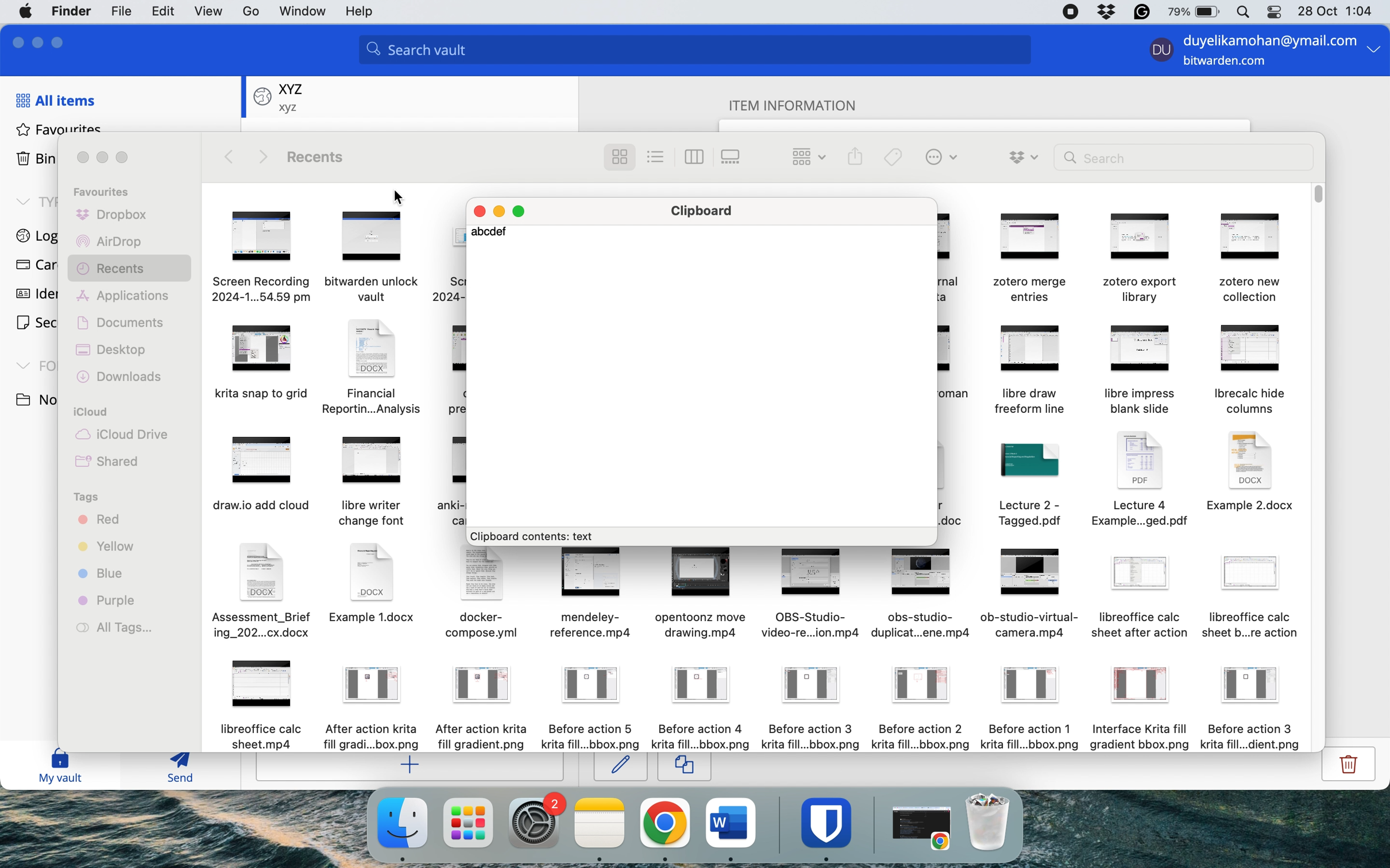 This screenshot has width=1390, height=868. I want to click on saved password, so click(280, 96).